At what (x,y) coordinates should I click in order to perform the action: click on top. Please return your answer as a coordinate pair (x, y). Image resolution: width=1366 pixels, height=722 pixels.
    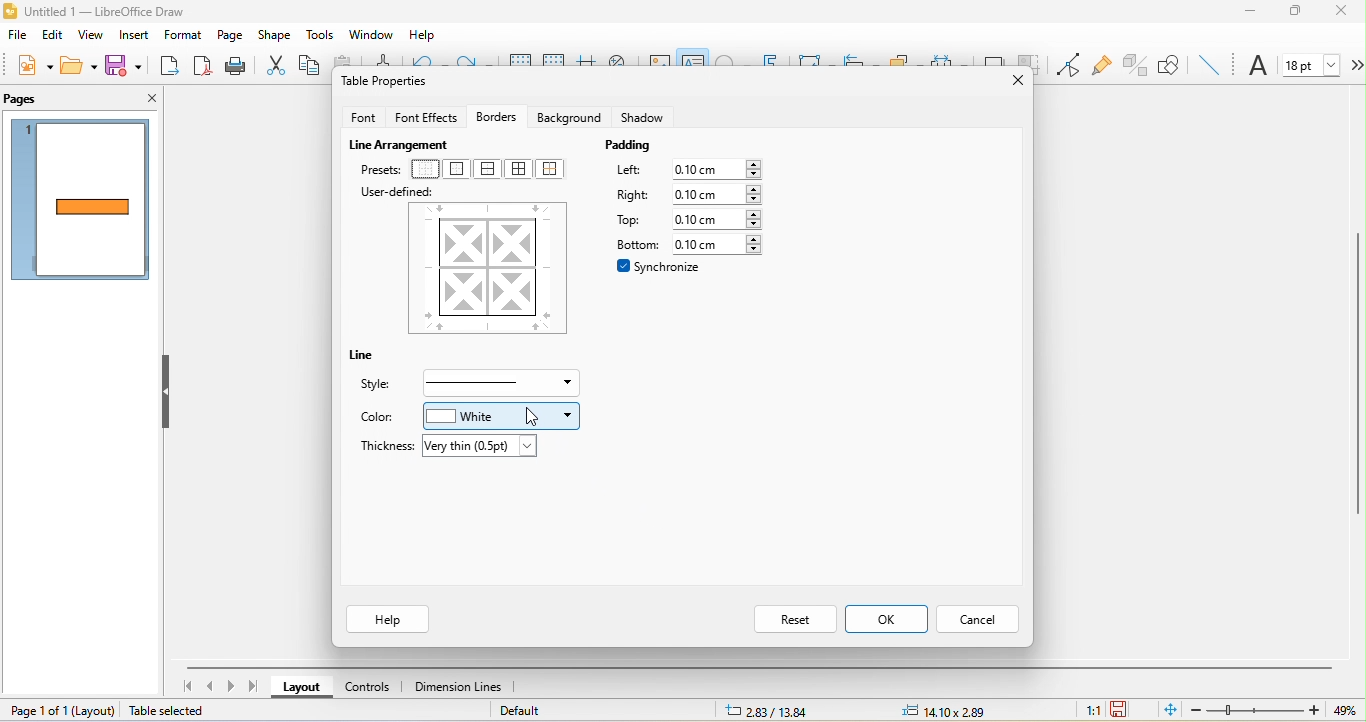
    Looking at the image, I should click on (631, 219).